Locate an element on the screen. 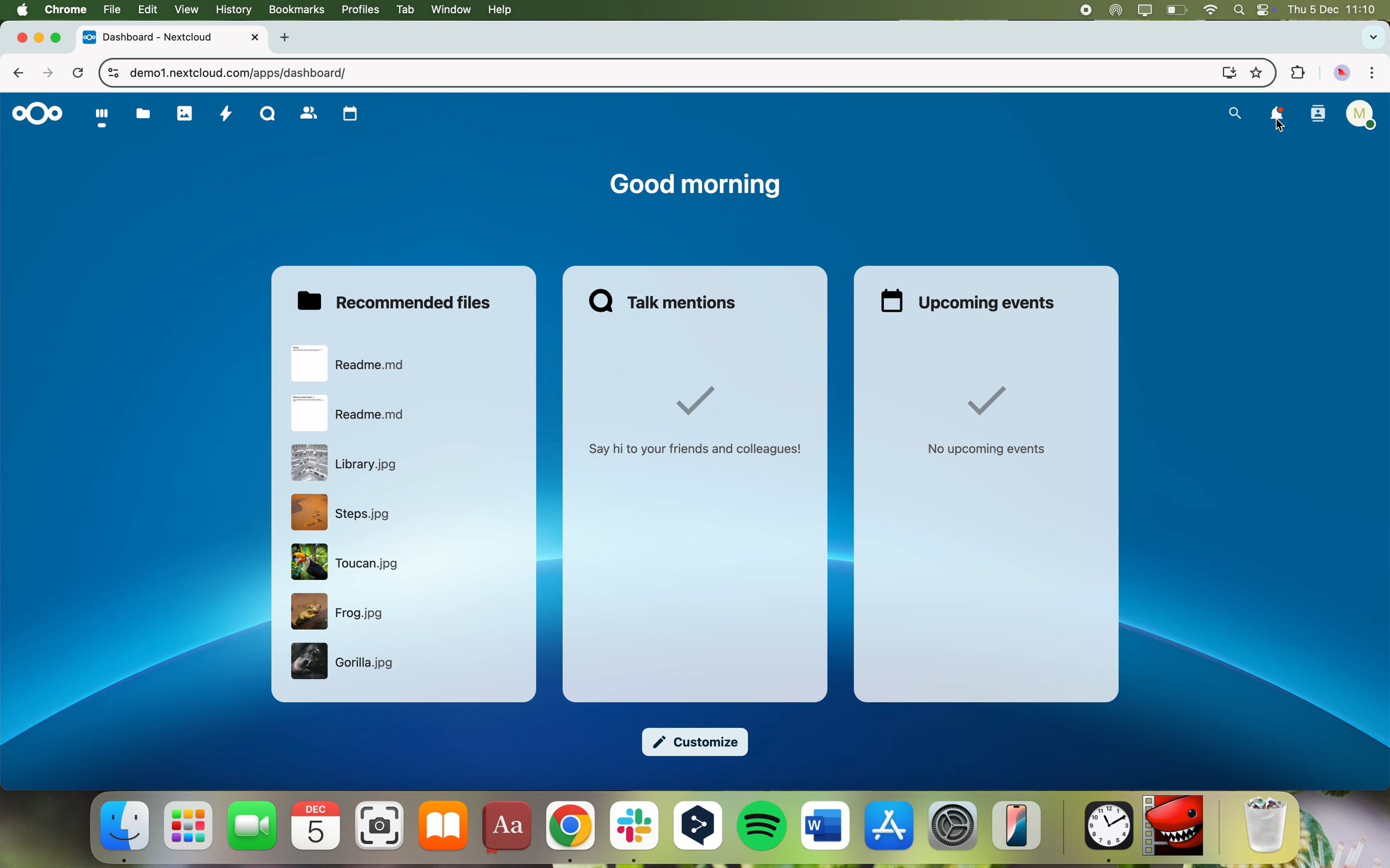  history is located at coordinates (232, 9).